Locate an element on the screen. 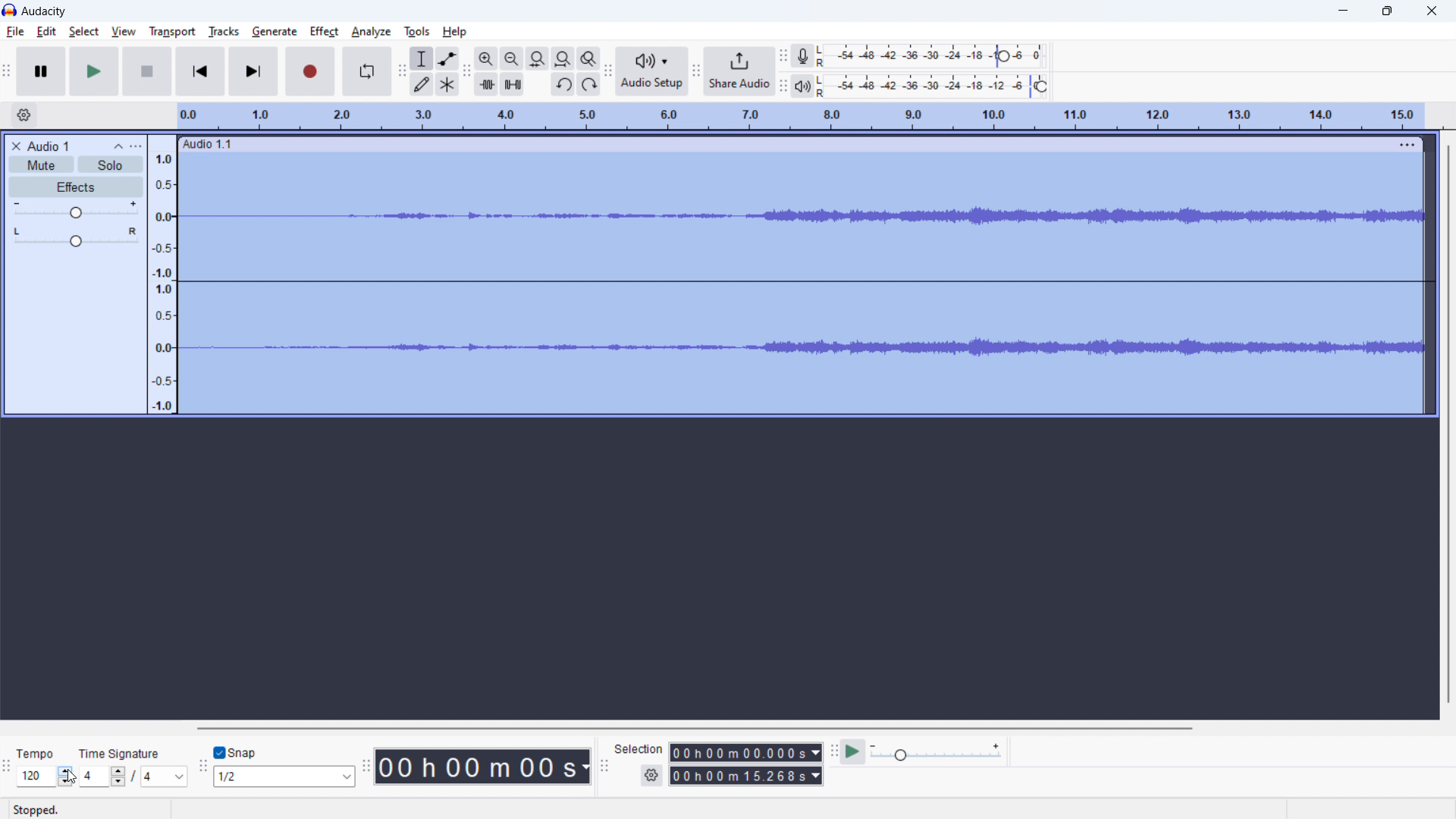  minimize is located at coordinates (1342, 10).